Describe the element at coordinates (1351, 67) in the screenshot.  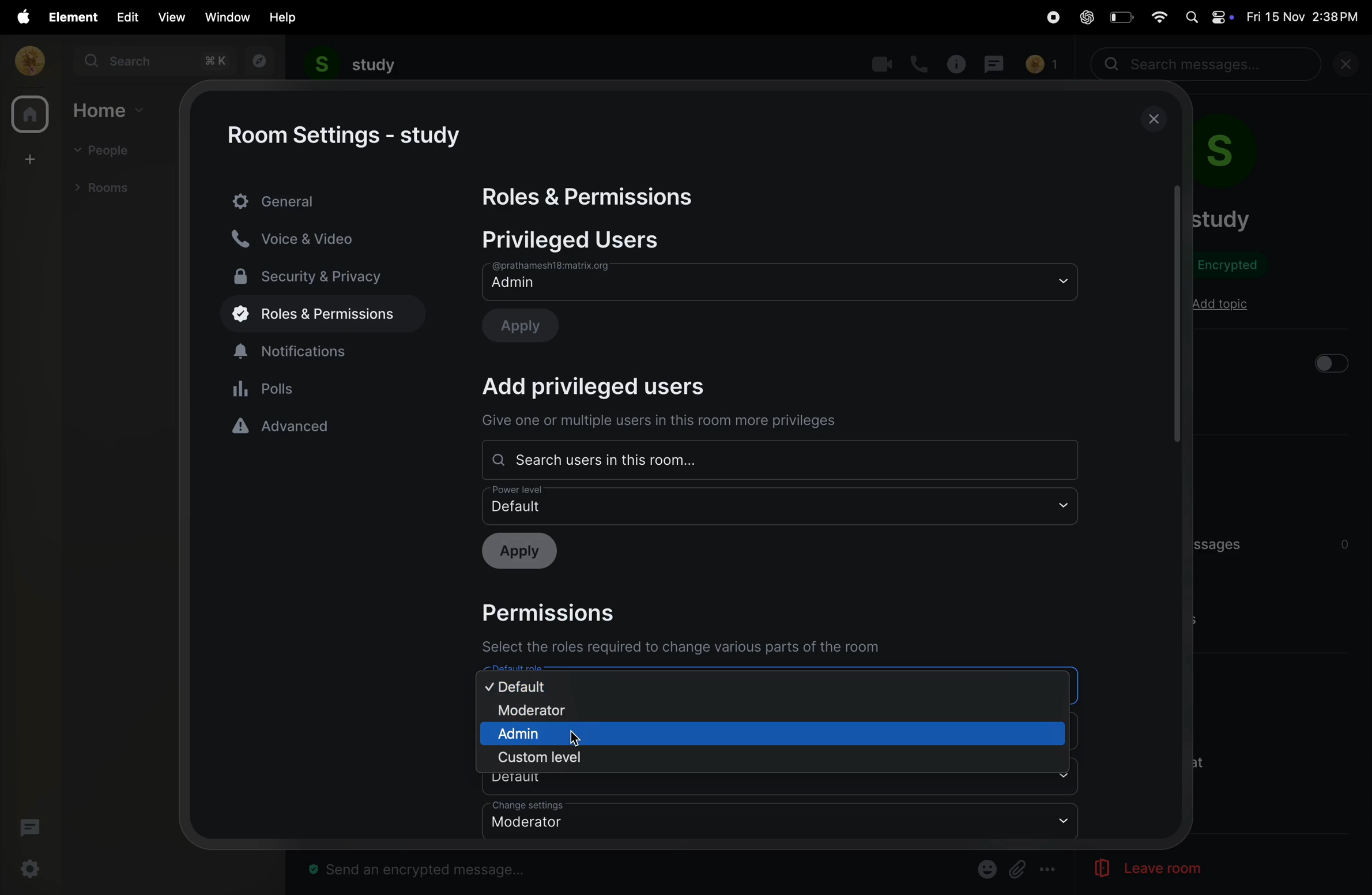
I see `close` at that location.